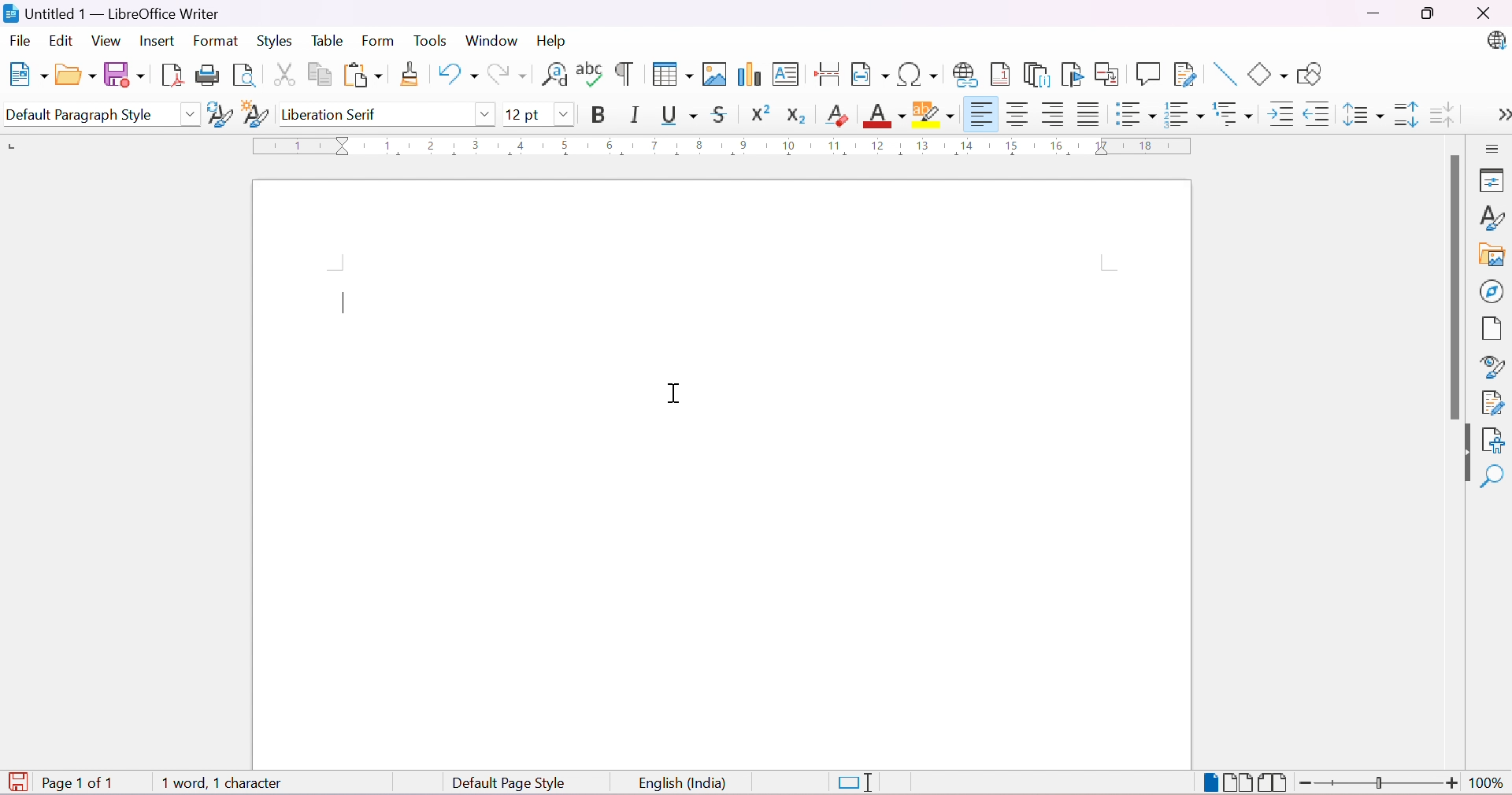 This screenshot has width=1512, height=795. What do you see at coordinates (17, 781) in the screenshot?
I see `The document has been modified. Click to save the document.` at bounding box center [17, 781].